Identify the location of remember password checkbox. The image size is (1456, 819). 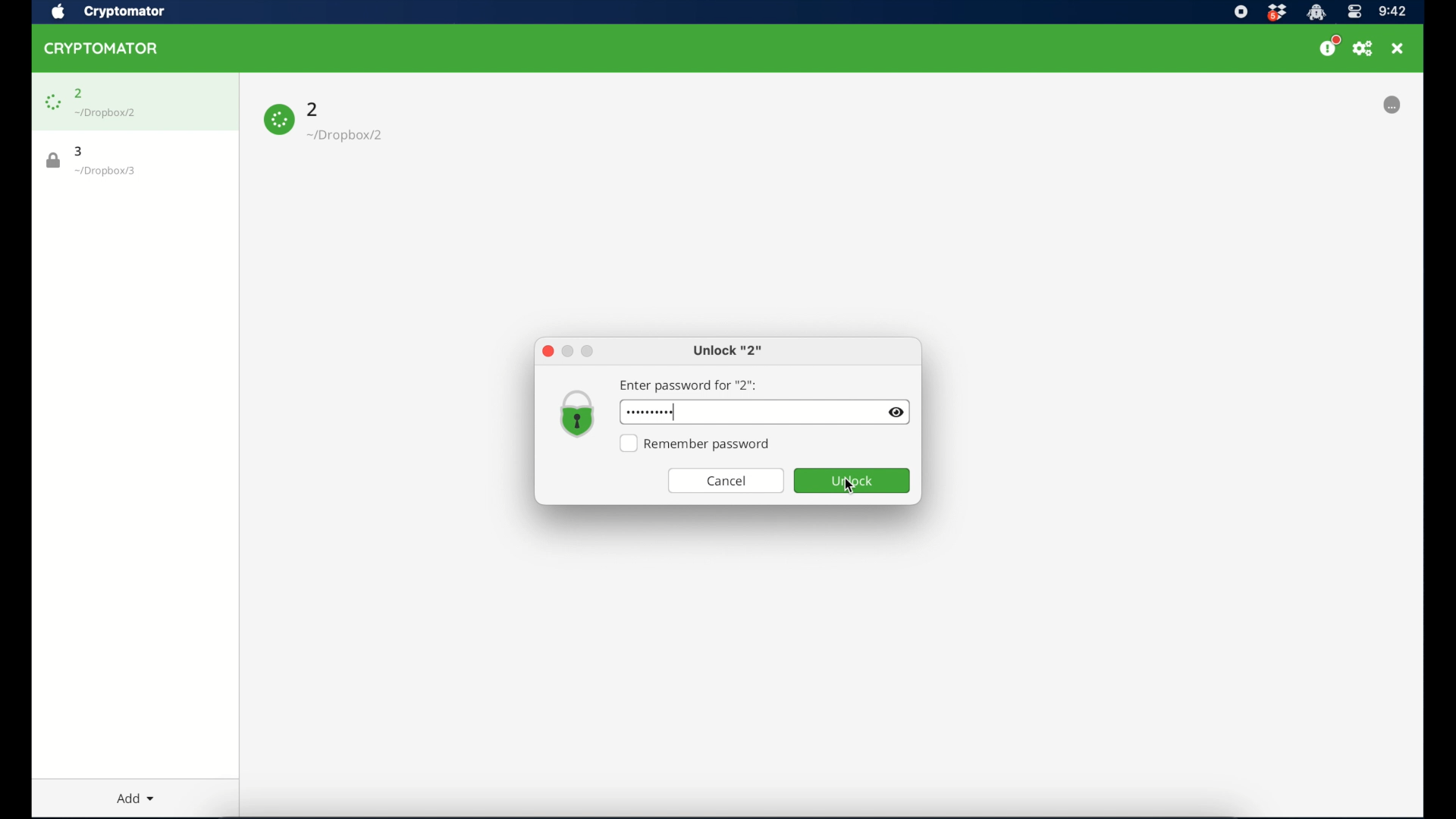
(696, 444).